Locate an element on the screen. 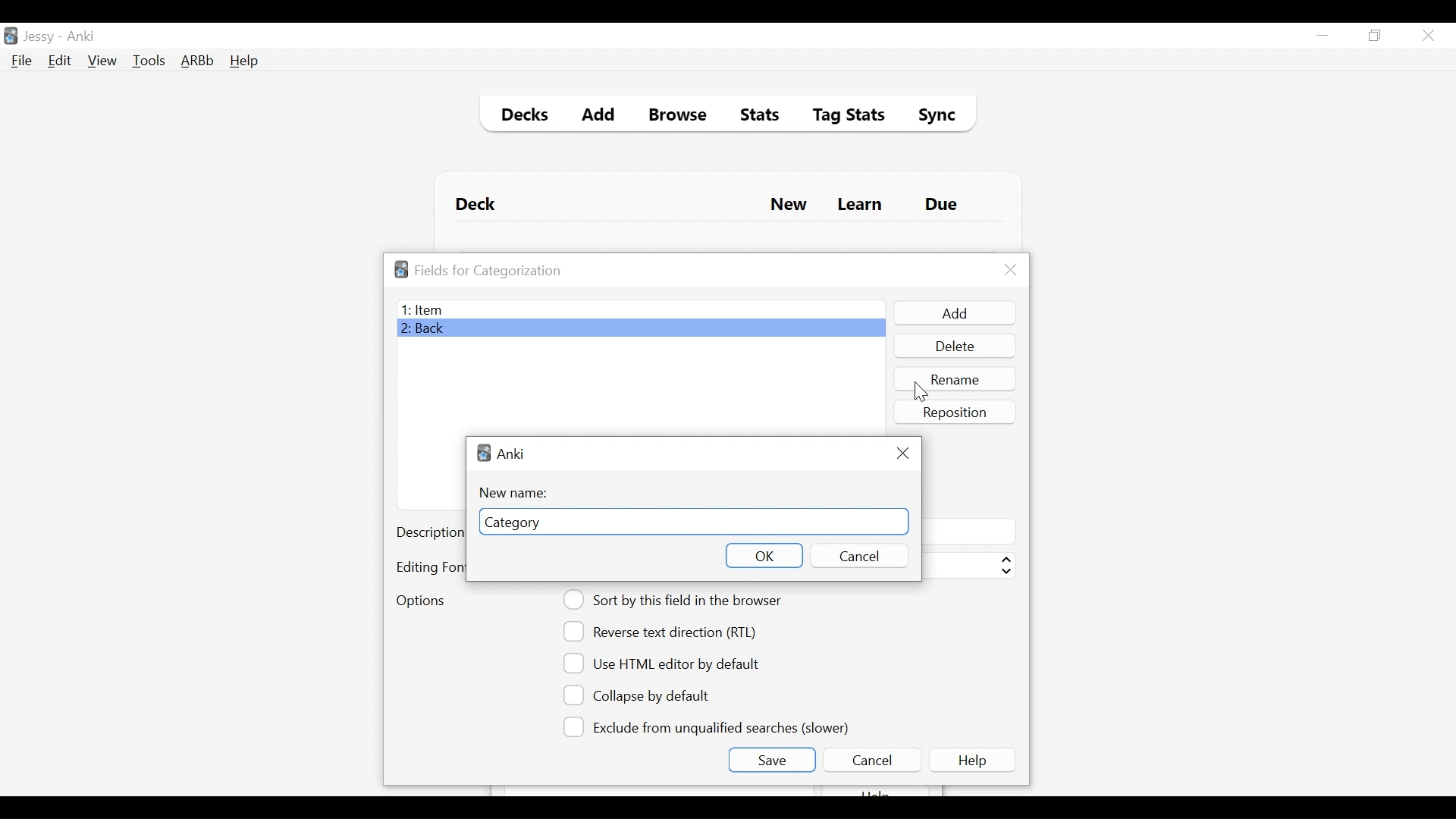  Cancel is located at coordinates (871, 760).